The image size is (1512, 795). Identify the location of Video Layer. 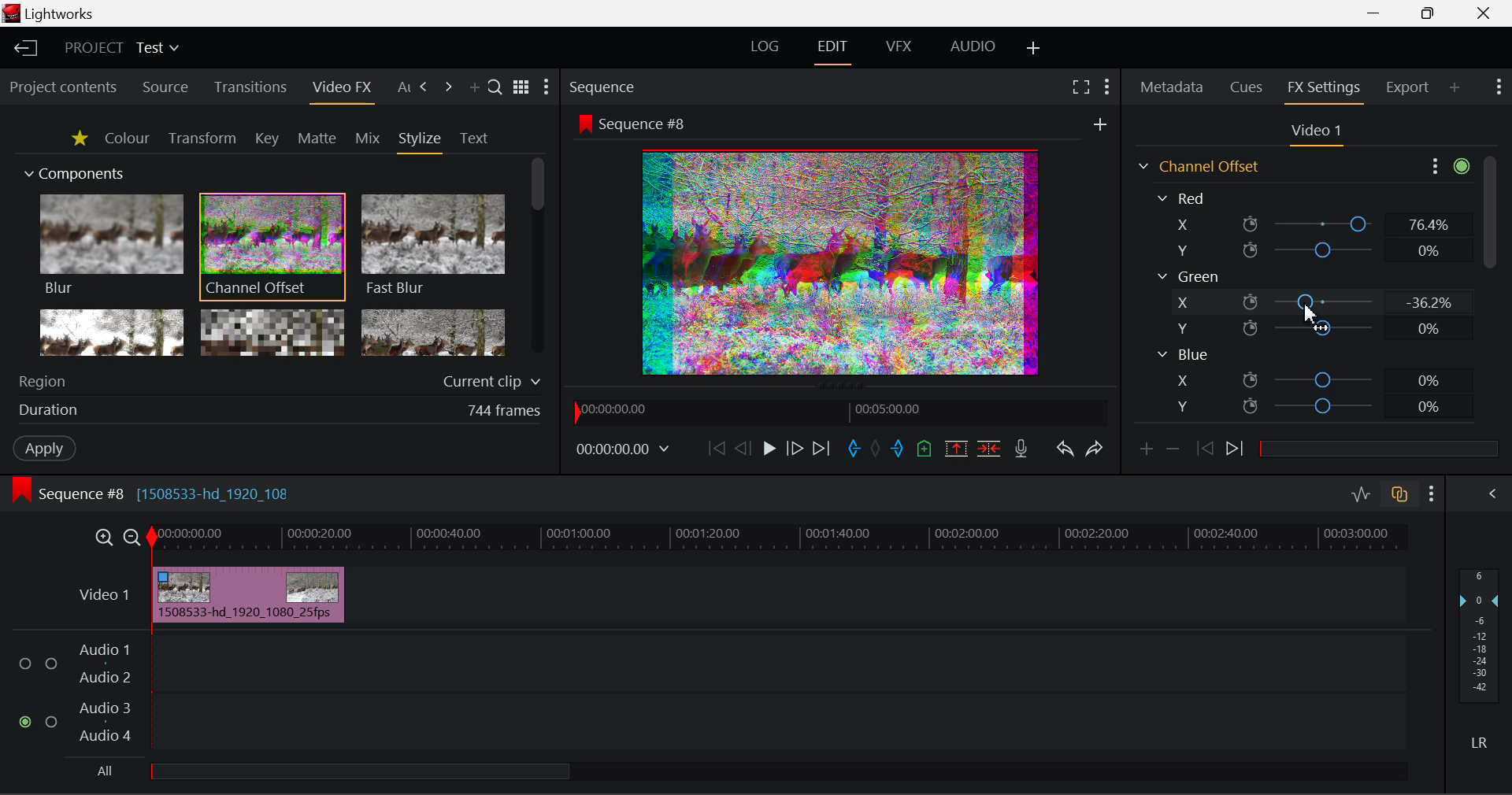
(106, 598).